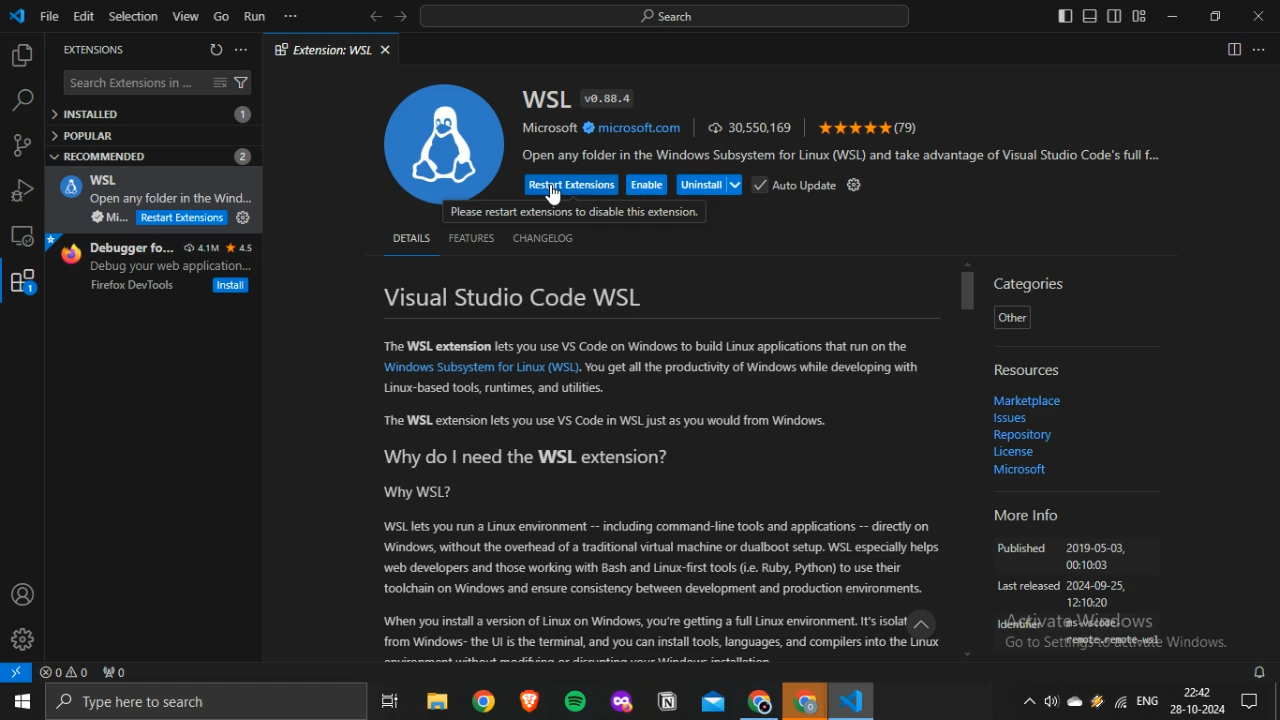 The image size is (1280, 720). I want to click on Install, so click(232, 285).